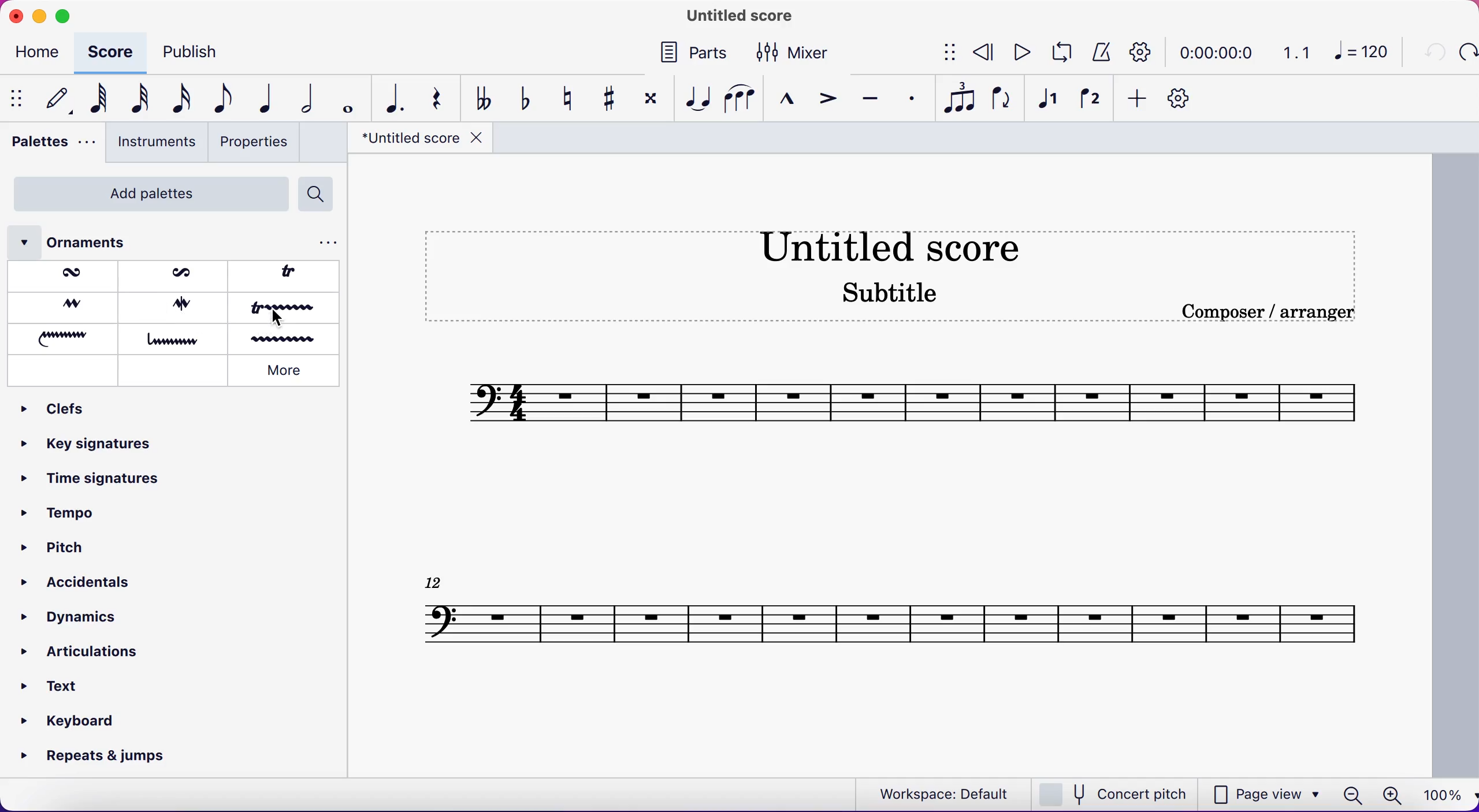 This screenshot has width=1479, height=812. What do you see at coordinates (144, 193) in the screenshot?
I see `add palettes` at bounding box center [144, 193].